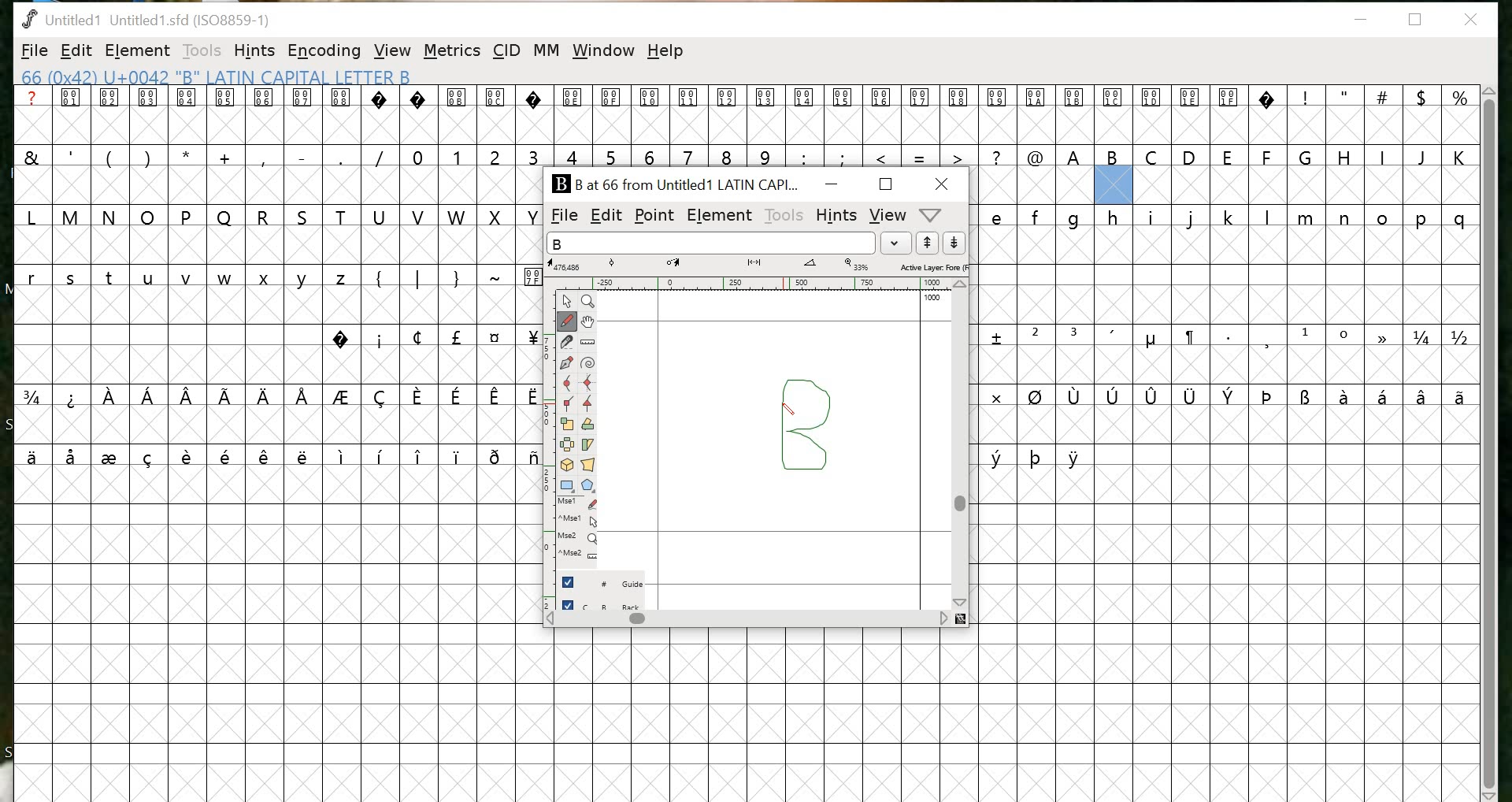  What do you see at coordinates (589, 384) in the screenshot?
I see `HV Curve` at bounding box center [589, 384].